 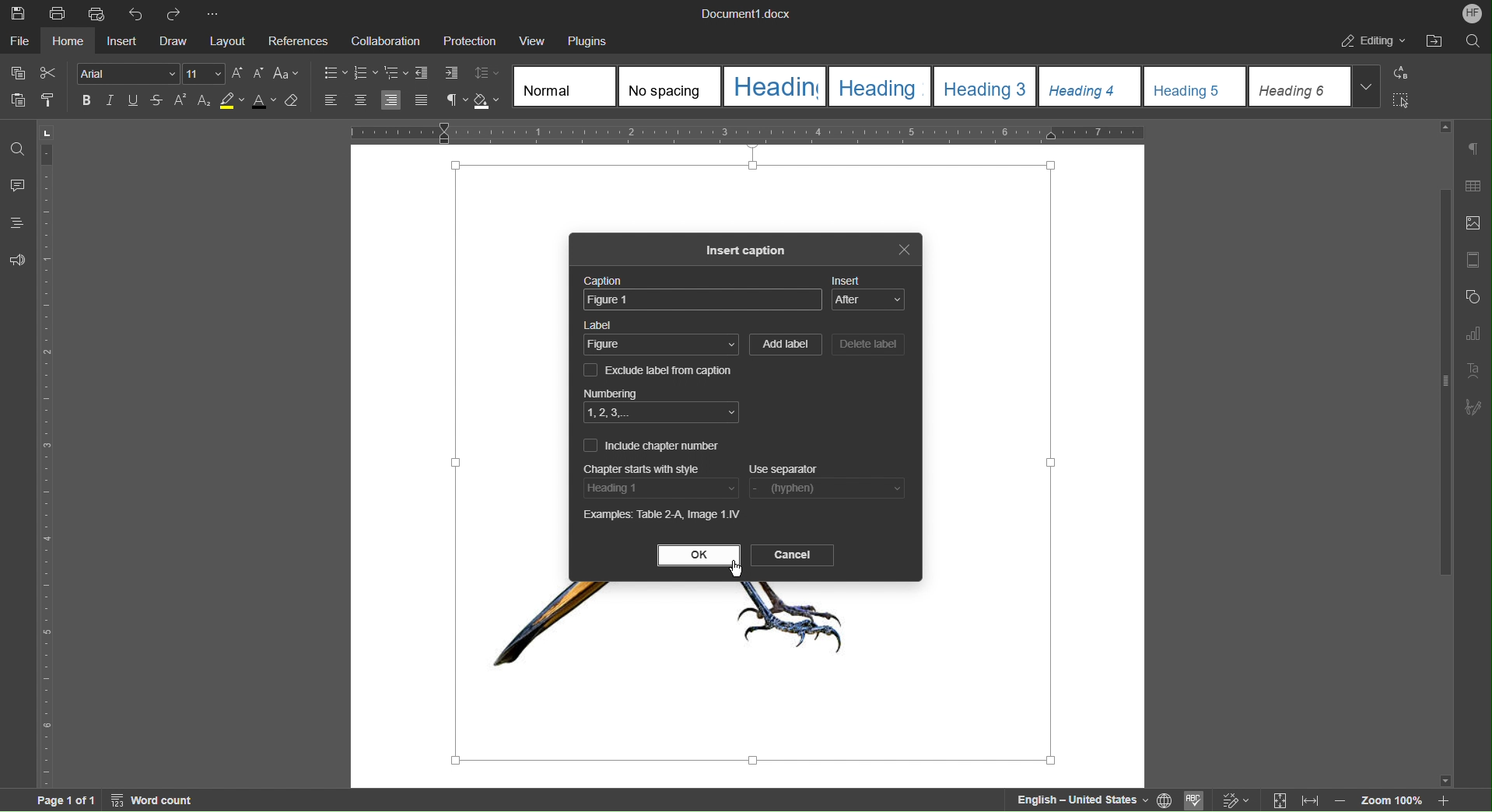 I want to click on Page Template, so click(x=1473, y=257).